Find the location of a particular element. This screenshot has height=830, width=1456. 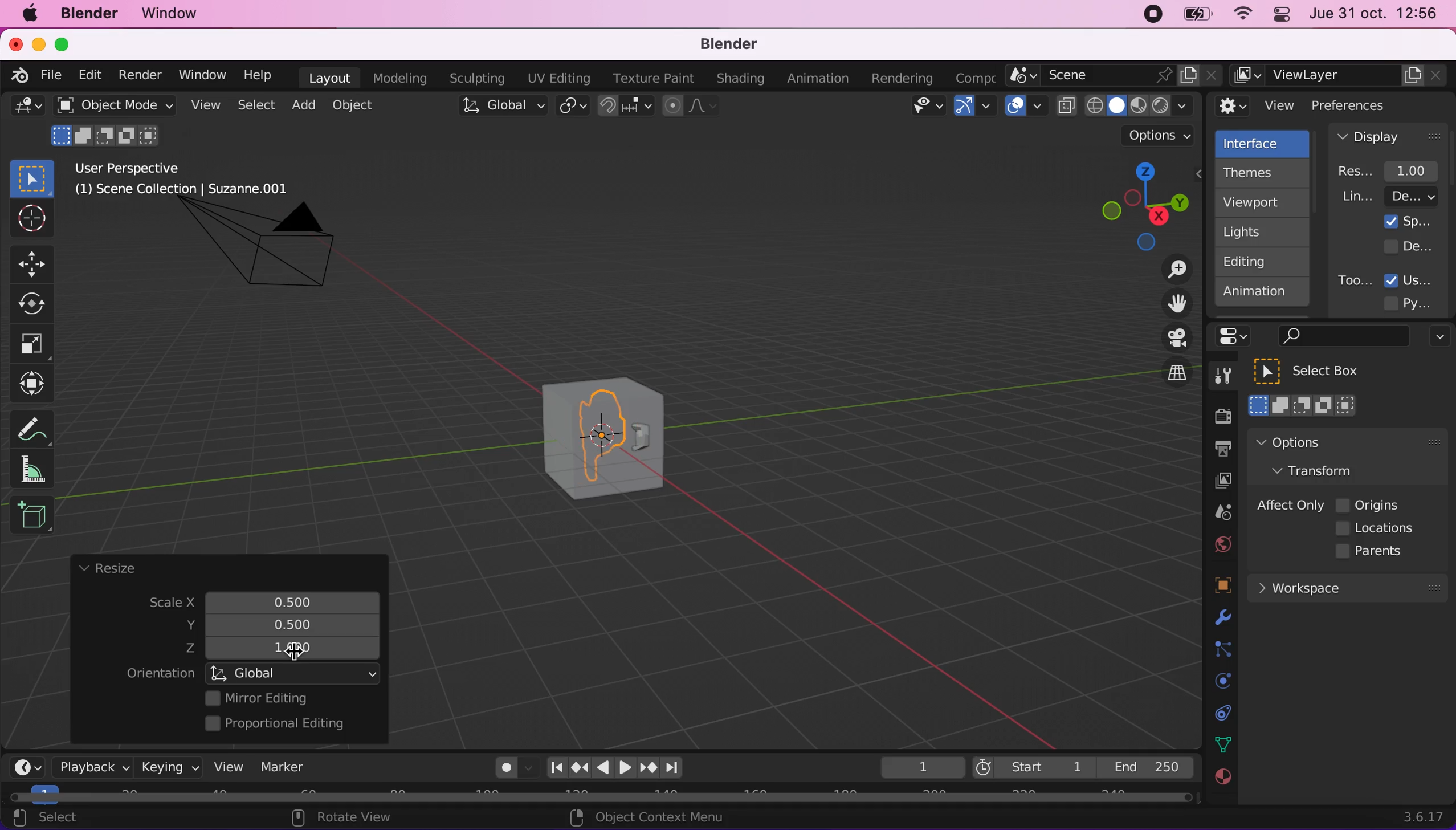

select is located at coordinates (58, 819).